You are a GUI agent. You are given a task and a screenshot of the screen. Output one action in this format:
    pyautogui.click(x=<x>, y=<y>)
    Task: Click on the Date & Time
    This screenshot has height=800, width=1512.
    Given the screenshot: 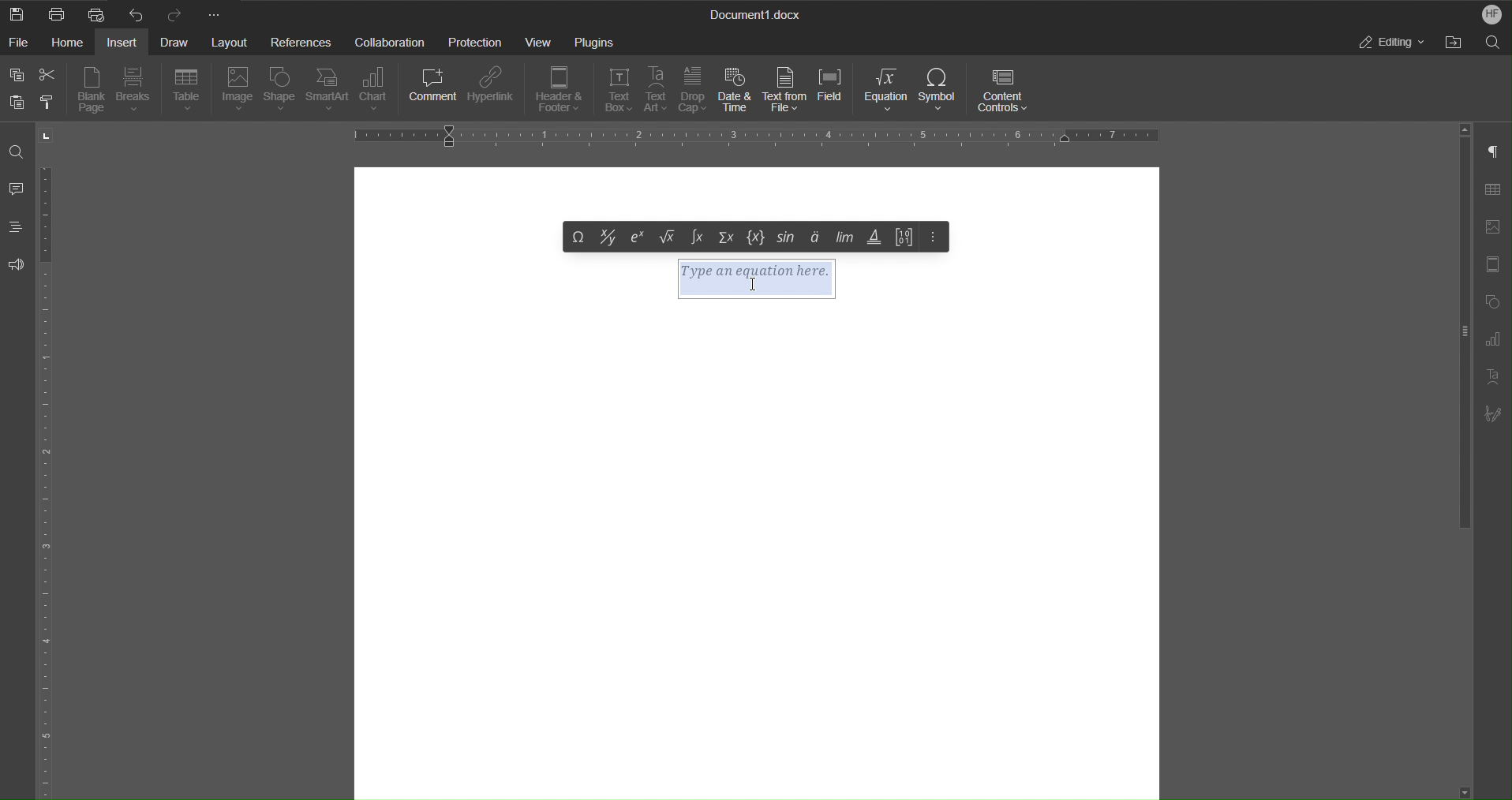 What is the action you would take?
    pyautogui.click(x=738, y=91)
    